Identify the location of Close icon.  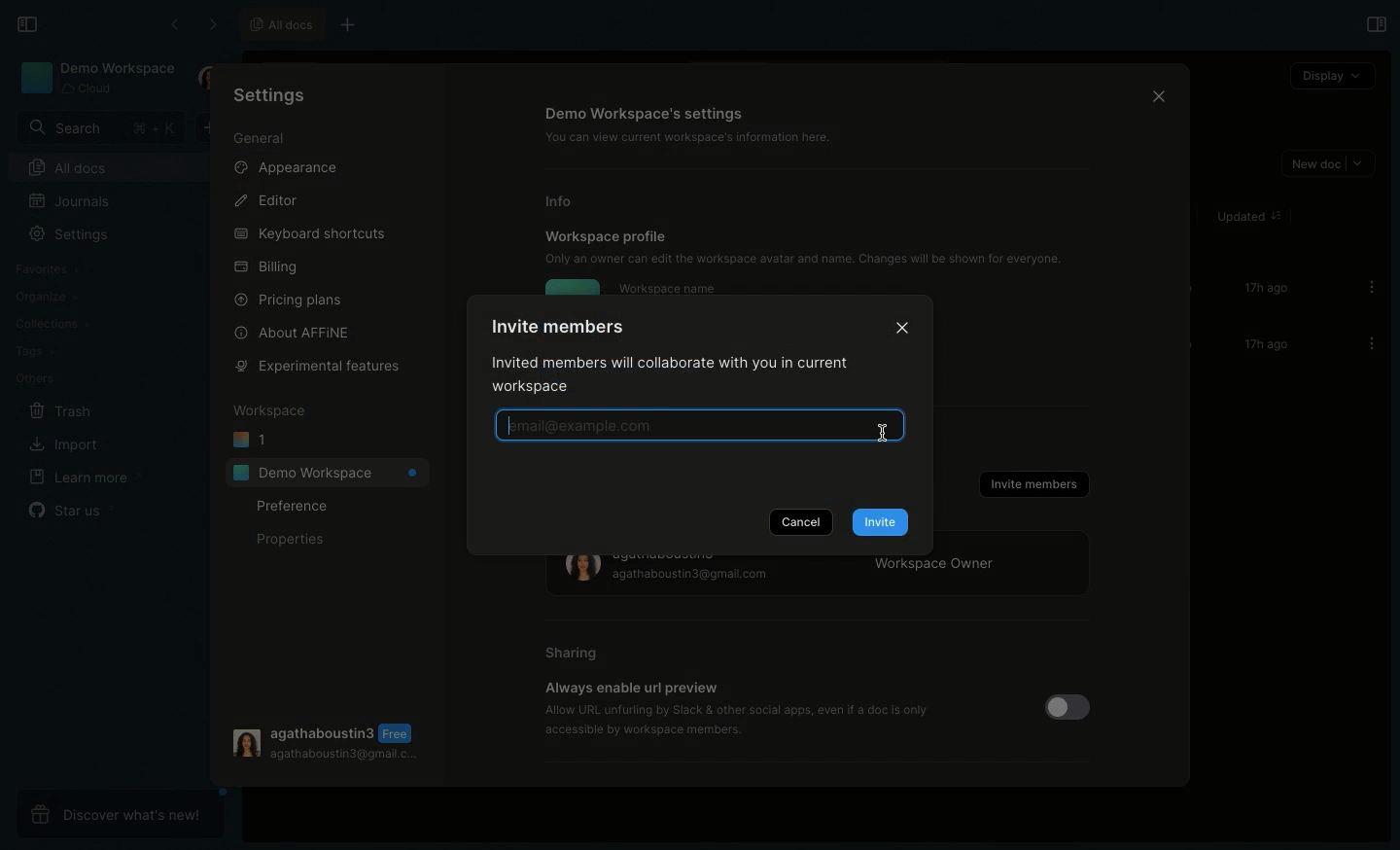
(1155, 94).